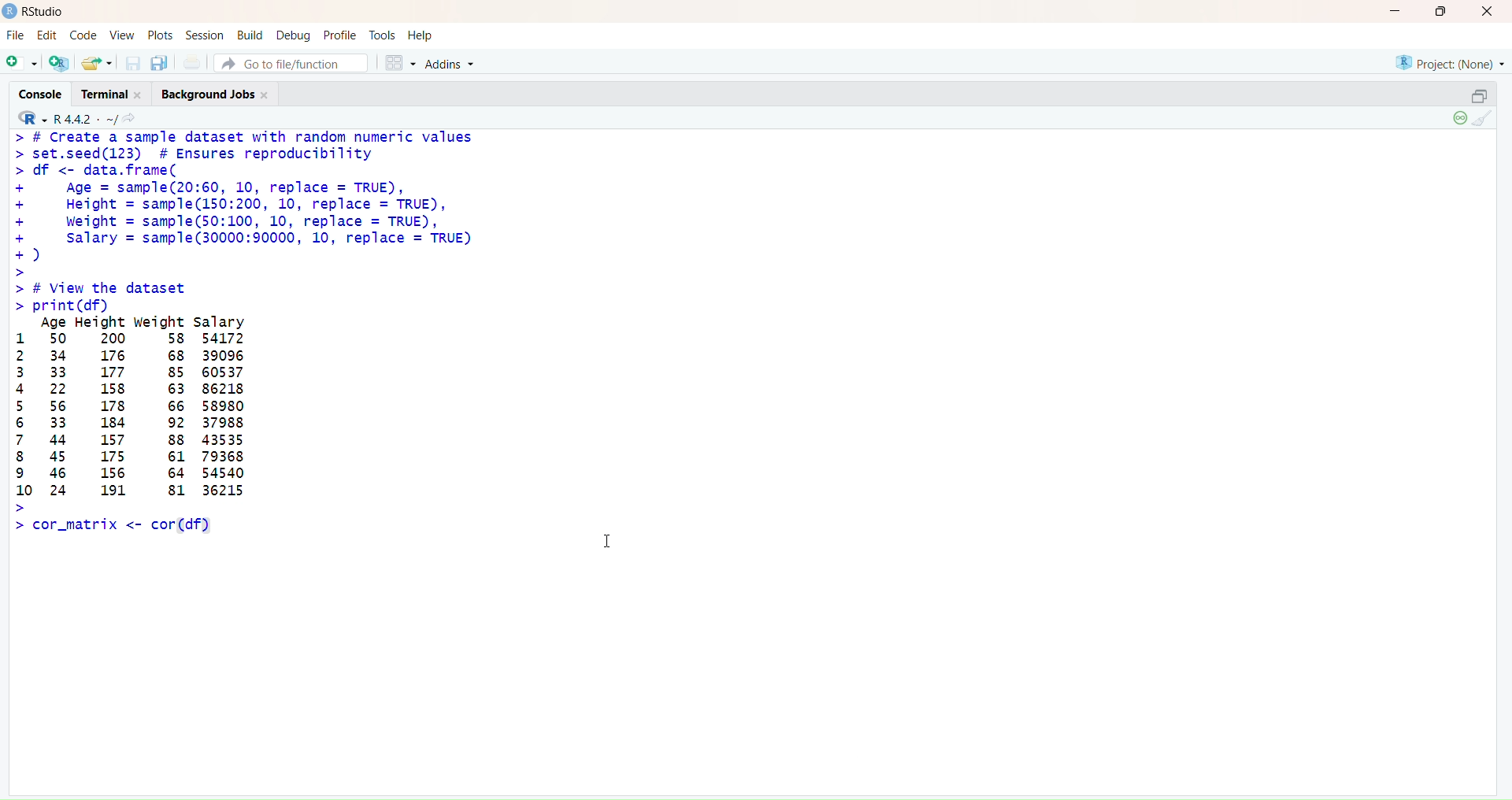  I want to click on Open an existing file (Ctrl + O), so click(95, 62).